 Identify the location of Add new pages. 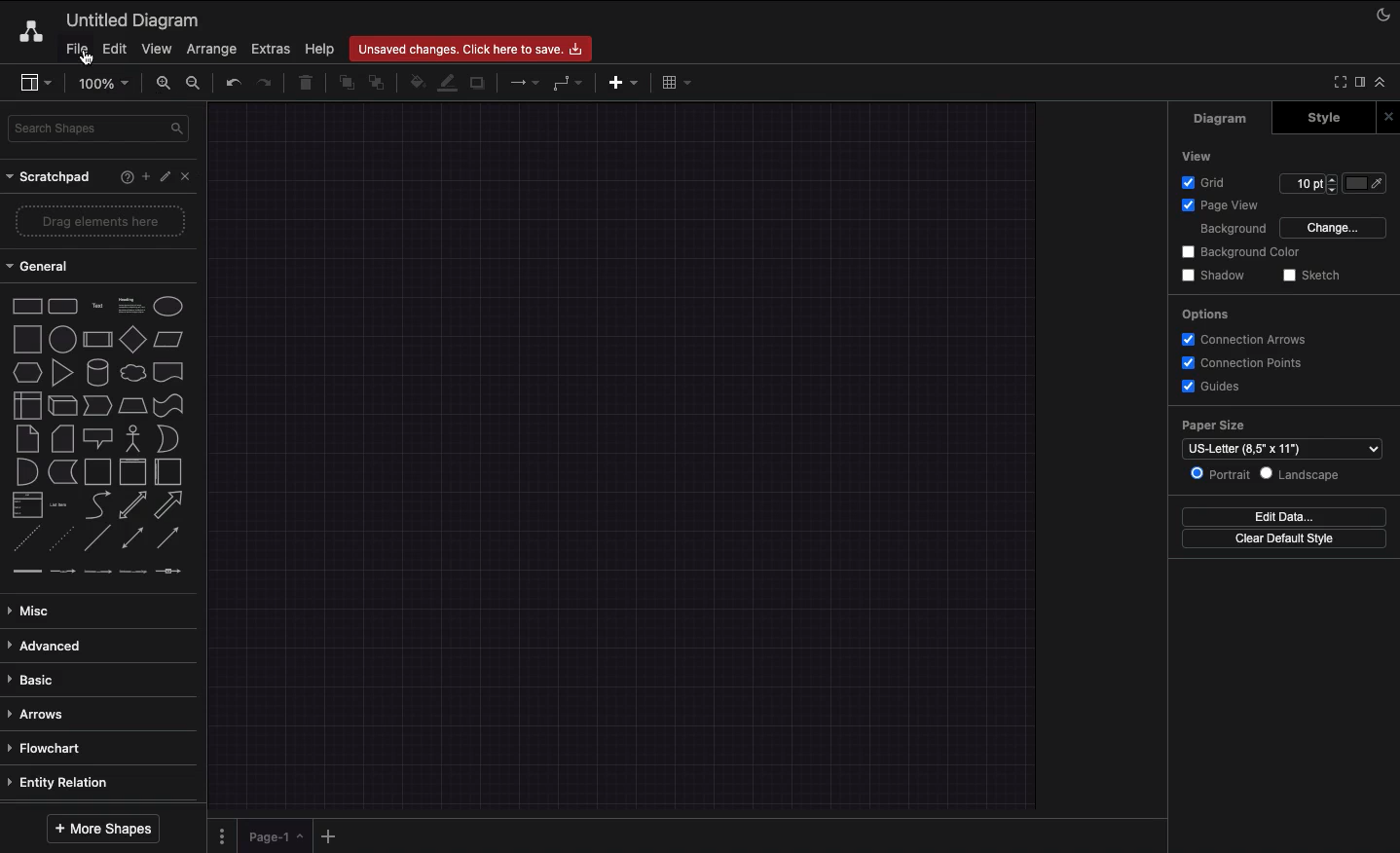
(331, 837).